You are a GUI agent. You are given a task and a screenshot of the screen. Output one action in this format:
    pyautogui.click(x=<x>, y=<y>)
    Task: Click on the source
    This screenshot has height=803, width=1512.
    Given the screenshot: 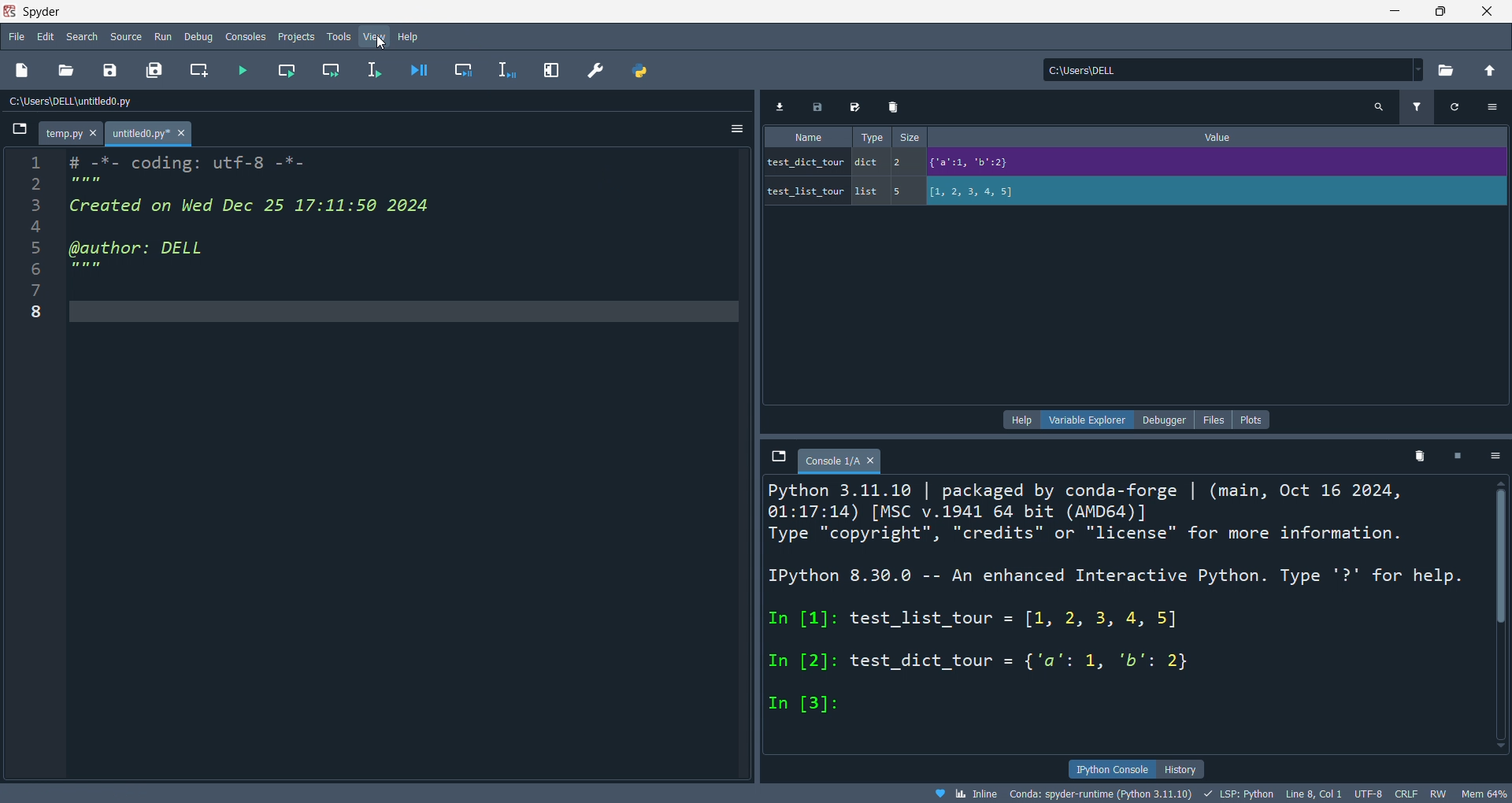 What is the action you would take?
    pyautogui.click(x=125, y=35)
    